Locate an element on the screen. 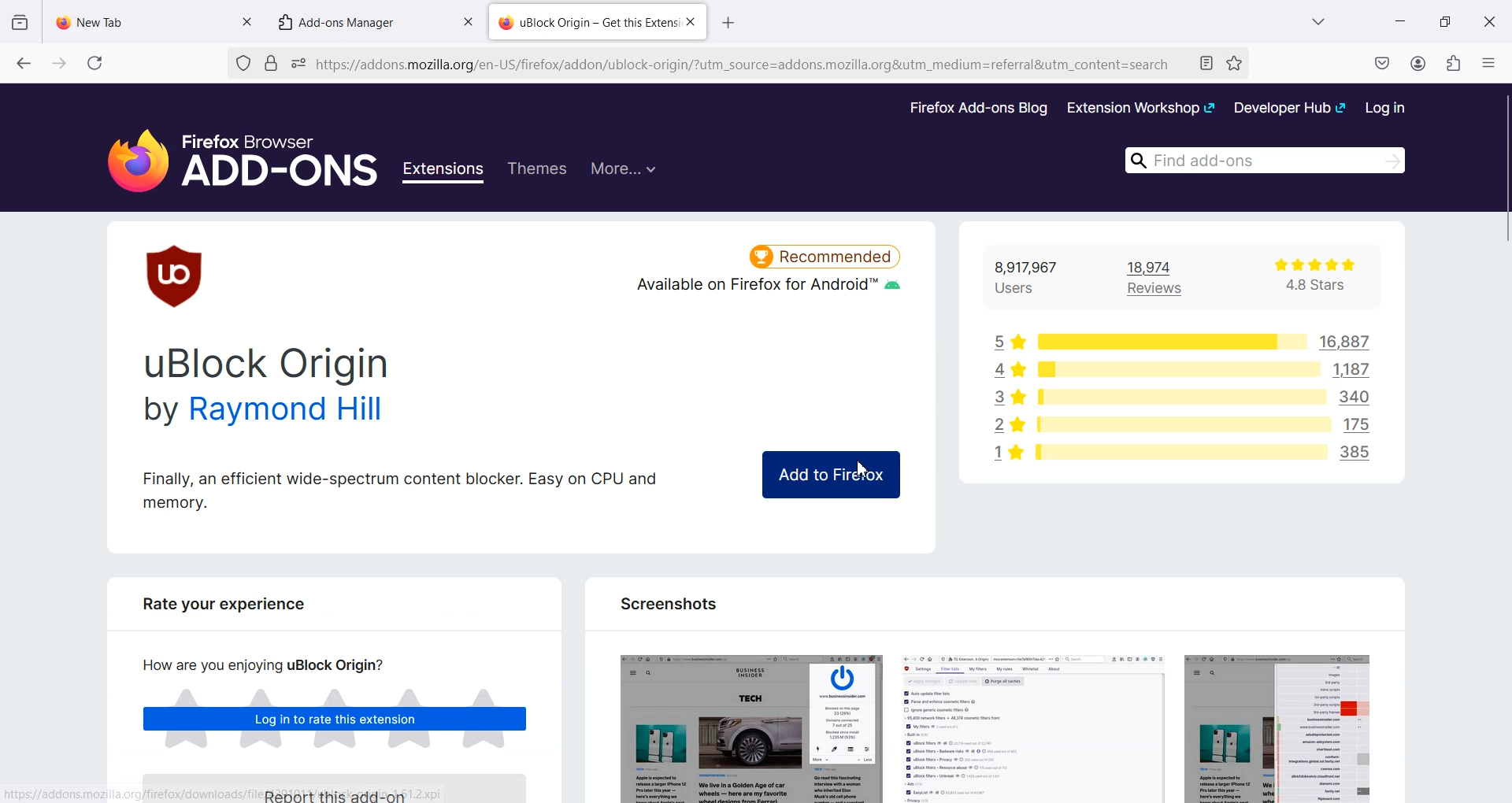 The width and height of the screenshot is (1512, 803). Account is located at coordinates (1419, 63).